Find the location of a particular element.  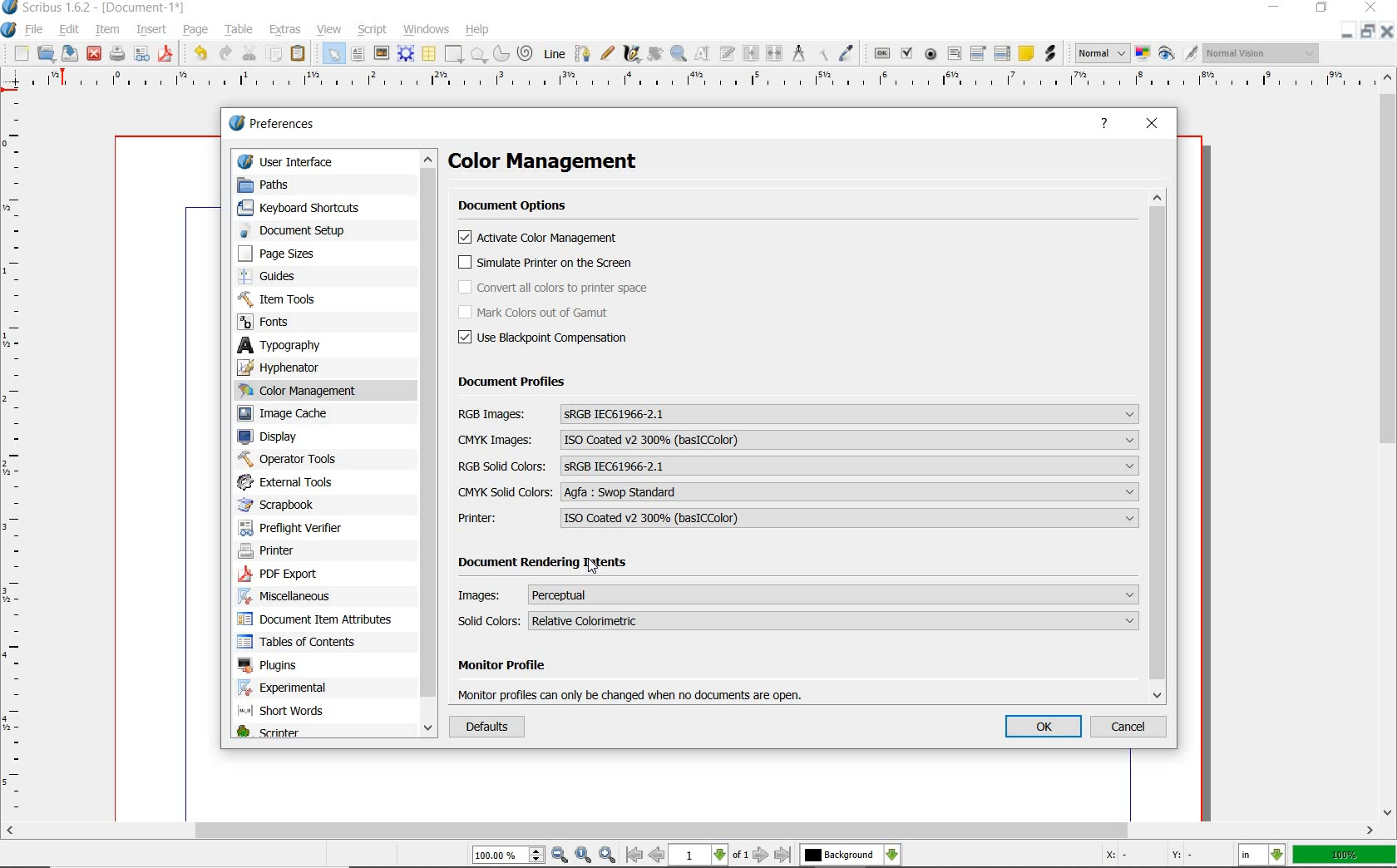

eye dropper is located at coordinates (848, 52).